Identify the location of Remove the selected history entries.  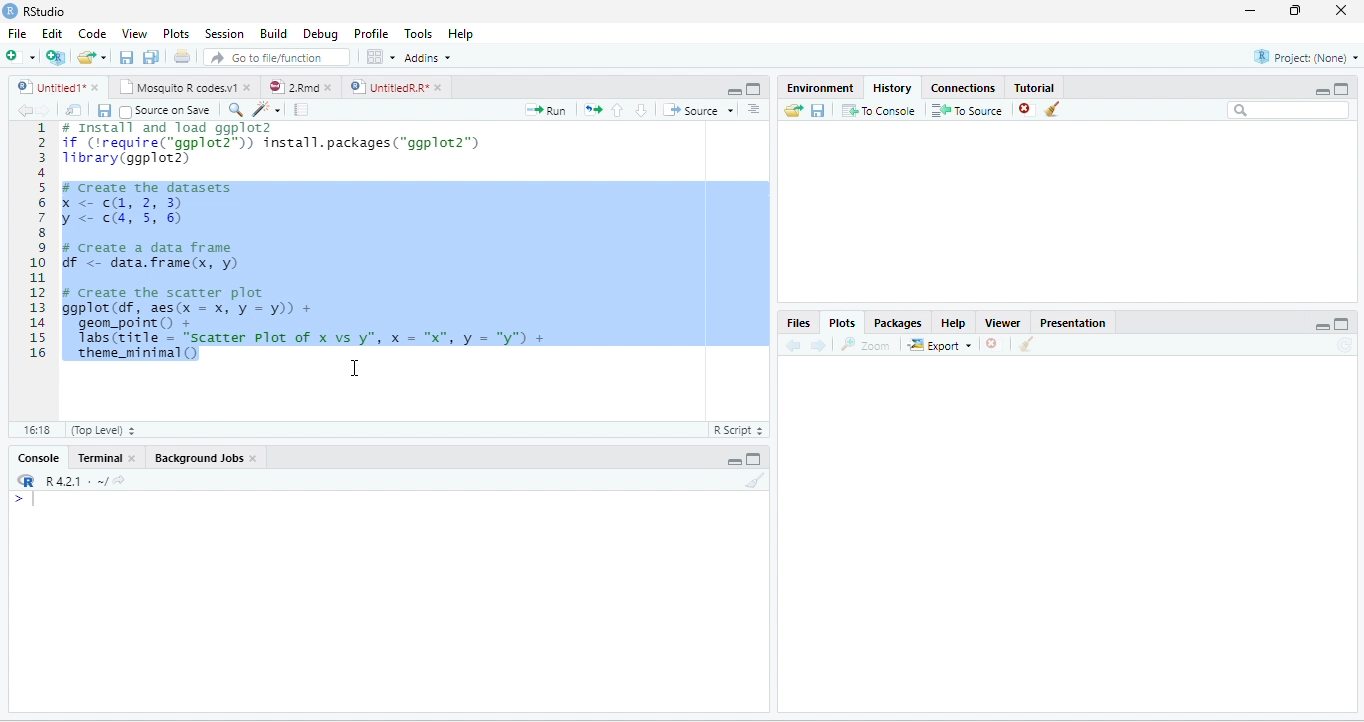
(1027, 110).